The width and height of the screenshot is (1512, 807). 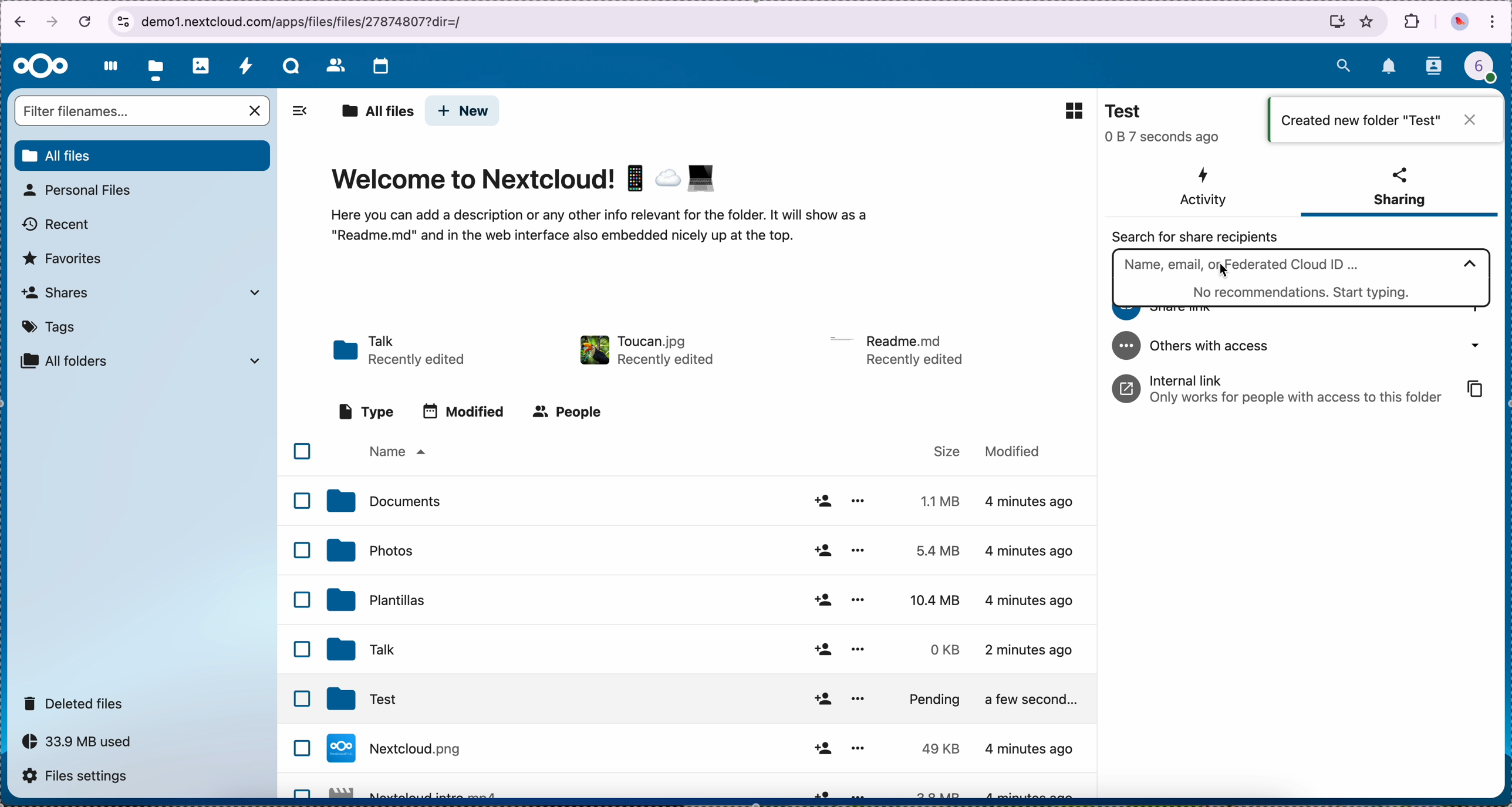 What do you see at coordinates (713, 700) in the screenshot?
I see `Test folder` at bounding box center [713, 700].